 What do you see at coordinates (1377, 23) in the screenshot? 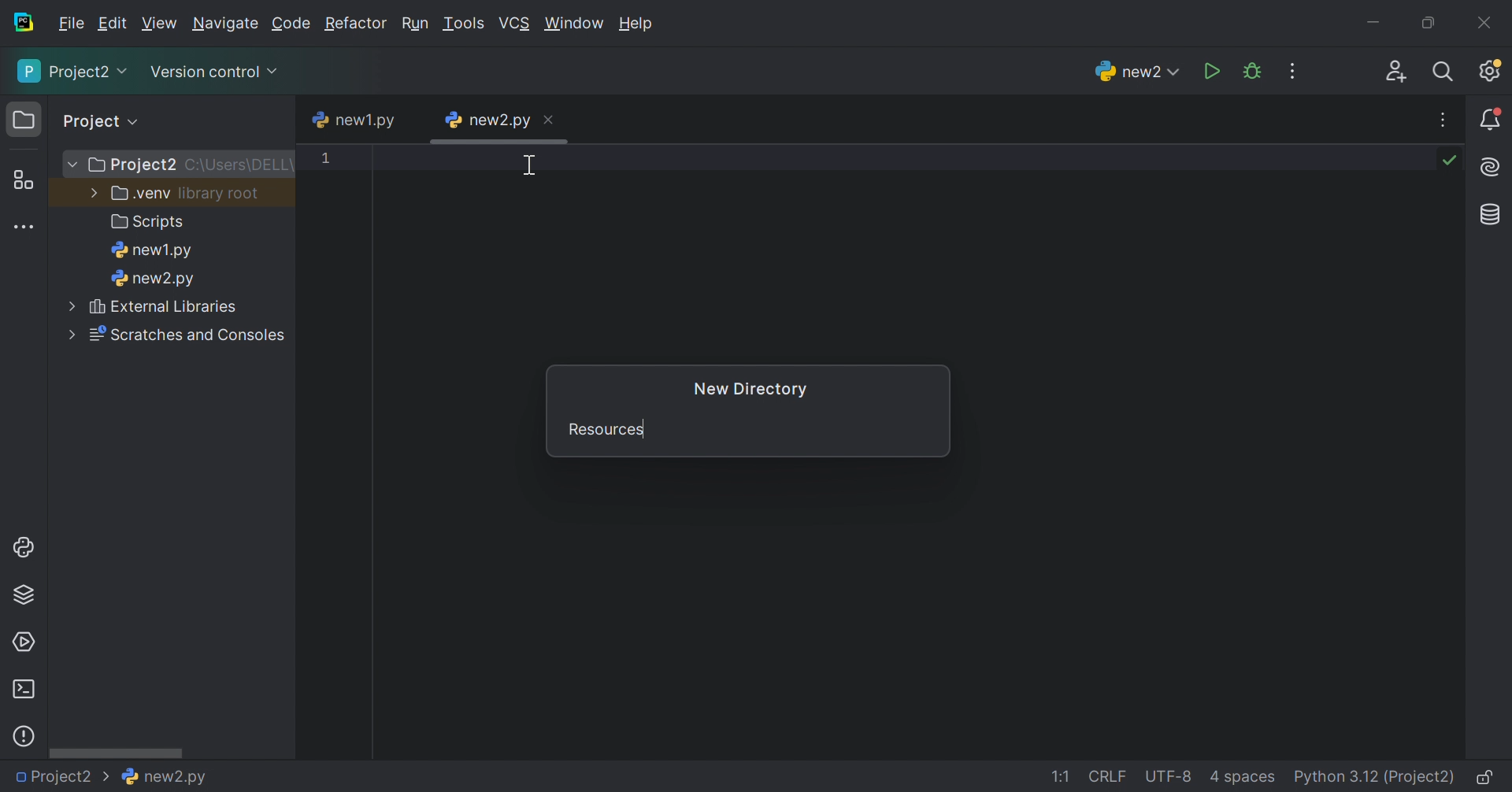
I see `Minimize` at bounding box center [1377, 23].